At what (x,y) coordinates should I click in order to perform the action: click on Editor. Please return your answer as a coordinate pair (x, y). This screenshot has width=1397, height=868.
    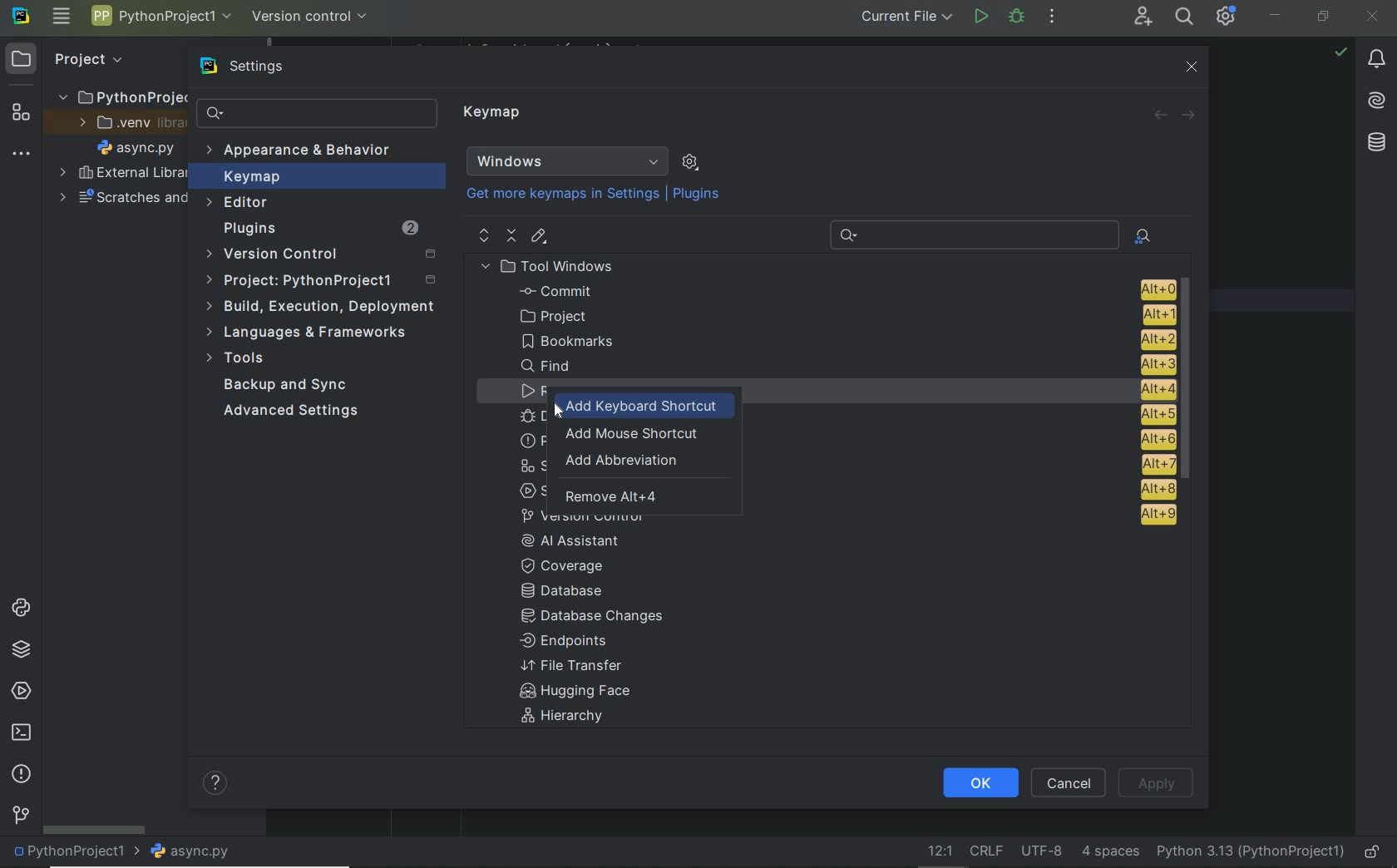
    Looking at the image, I should click on (239, 203).